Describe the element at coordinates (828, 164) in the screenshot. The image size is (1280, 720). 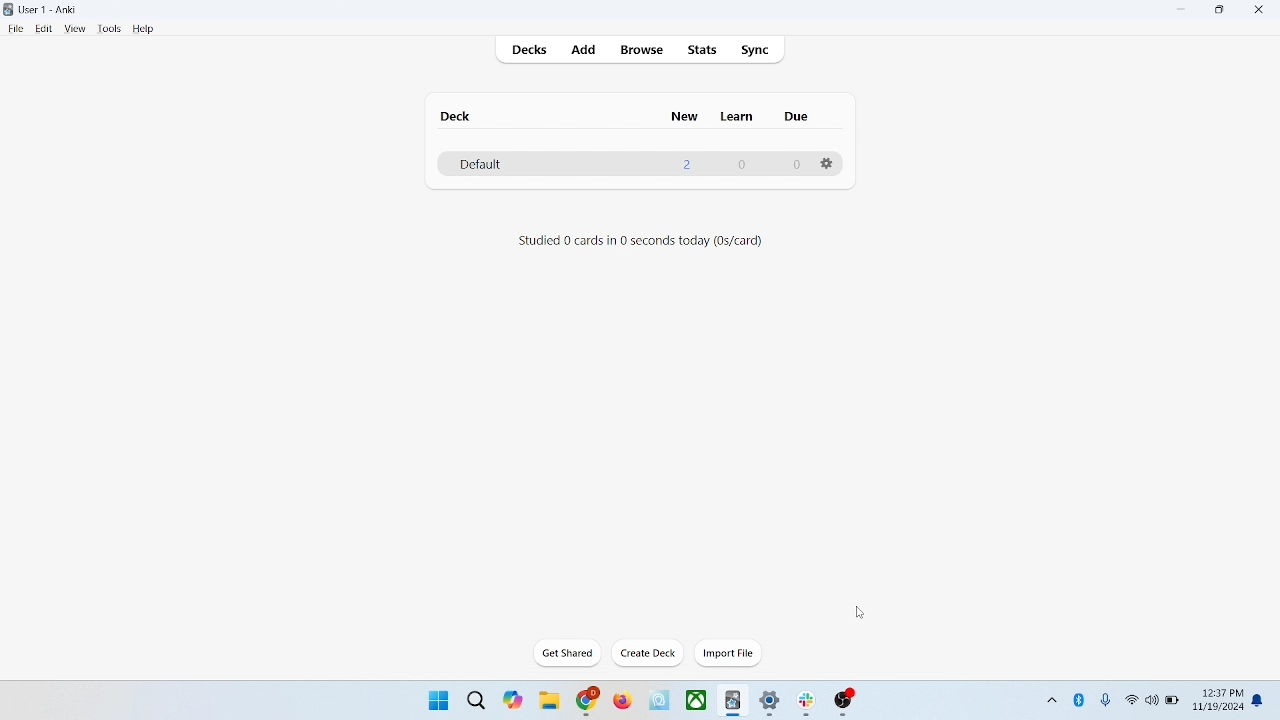
I see `options` at that location.